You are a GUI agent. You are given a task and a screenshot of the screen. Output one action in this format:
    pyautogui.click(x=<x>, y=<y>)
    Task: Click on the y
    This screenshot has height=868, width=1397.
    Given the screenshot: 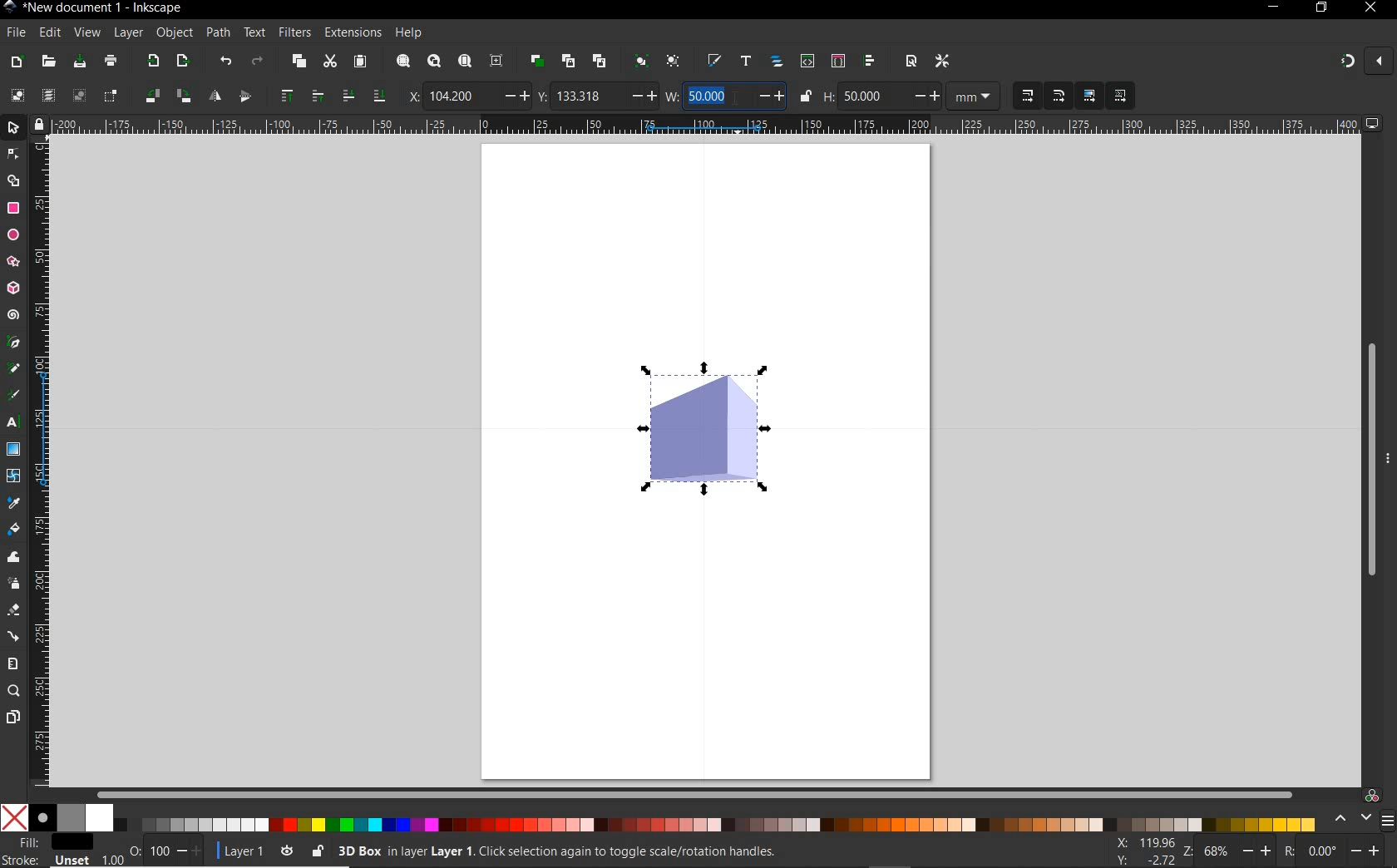 What is the action you would take?
    pyautogui.click(x=543, y=96)
    